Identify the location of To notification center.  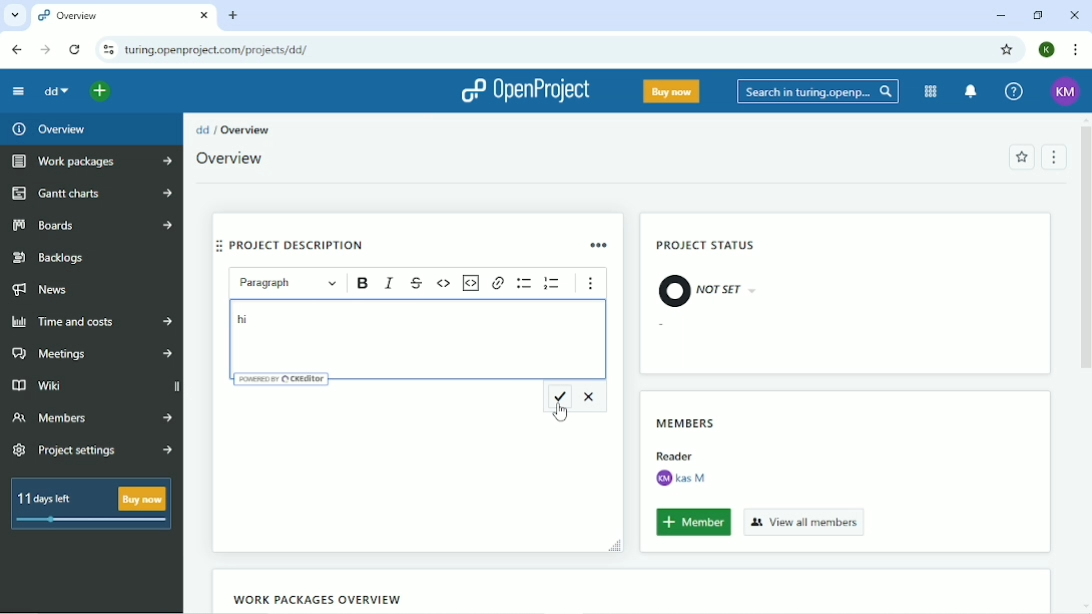
(972, 91).